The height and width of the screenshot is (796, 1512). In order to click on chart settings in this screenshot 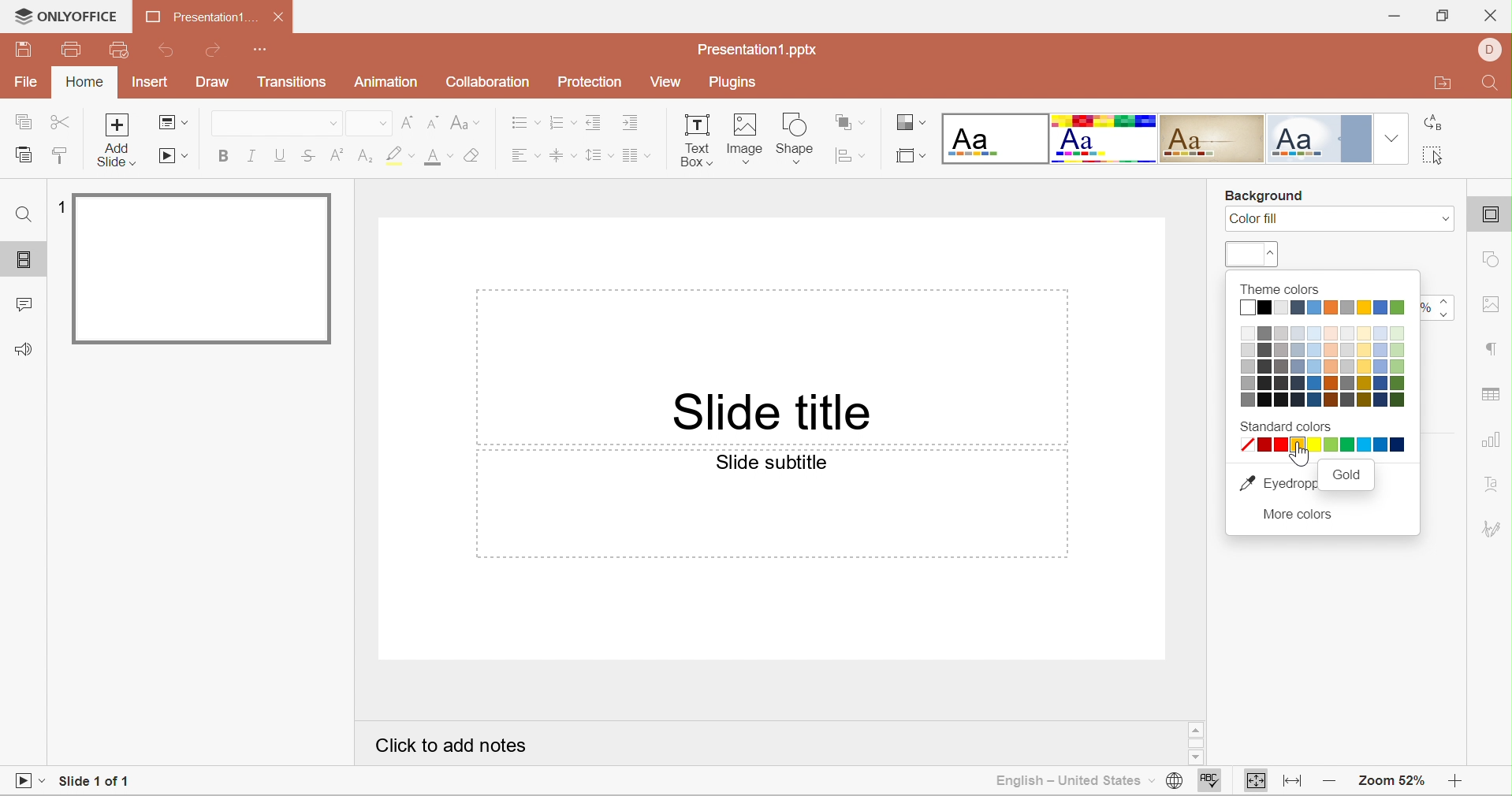, I will do `click(1492, 440)`.